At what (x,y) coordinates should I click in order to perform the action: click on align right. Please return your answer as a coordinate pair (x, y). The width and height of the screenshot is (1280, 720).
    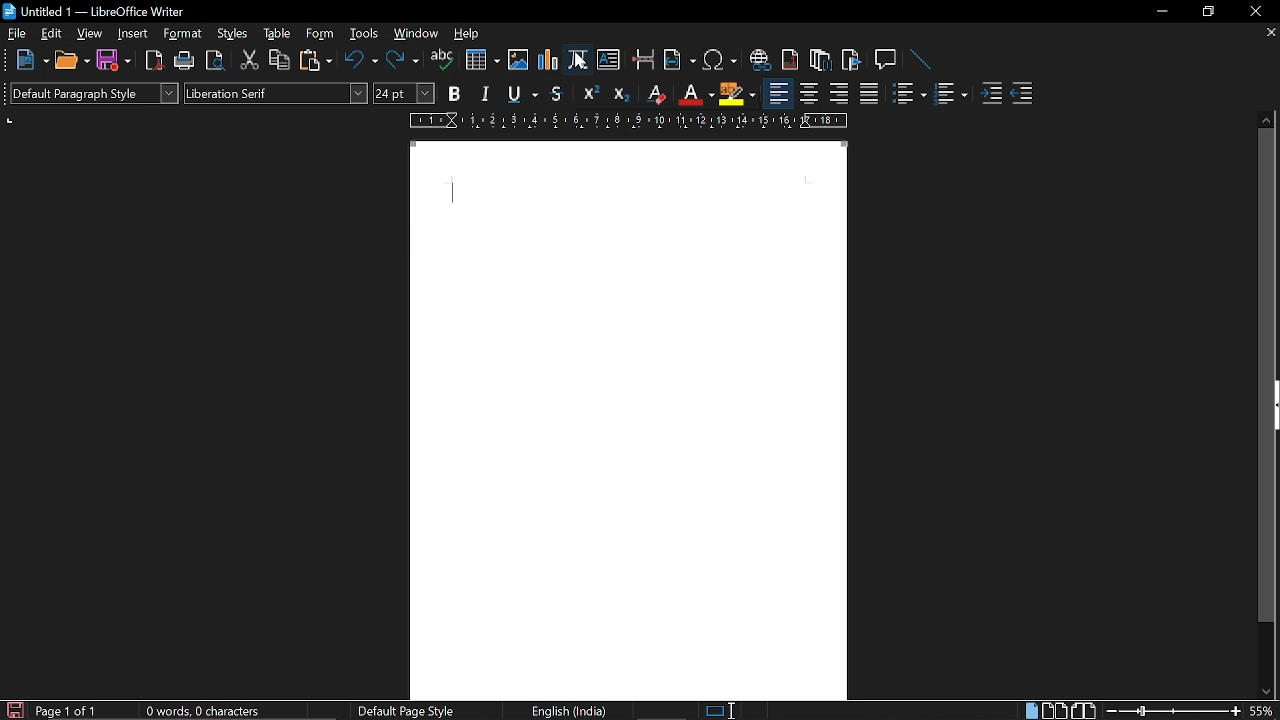
    Looking at the image, I should click on (840, 95).